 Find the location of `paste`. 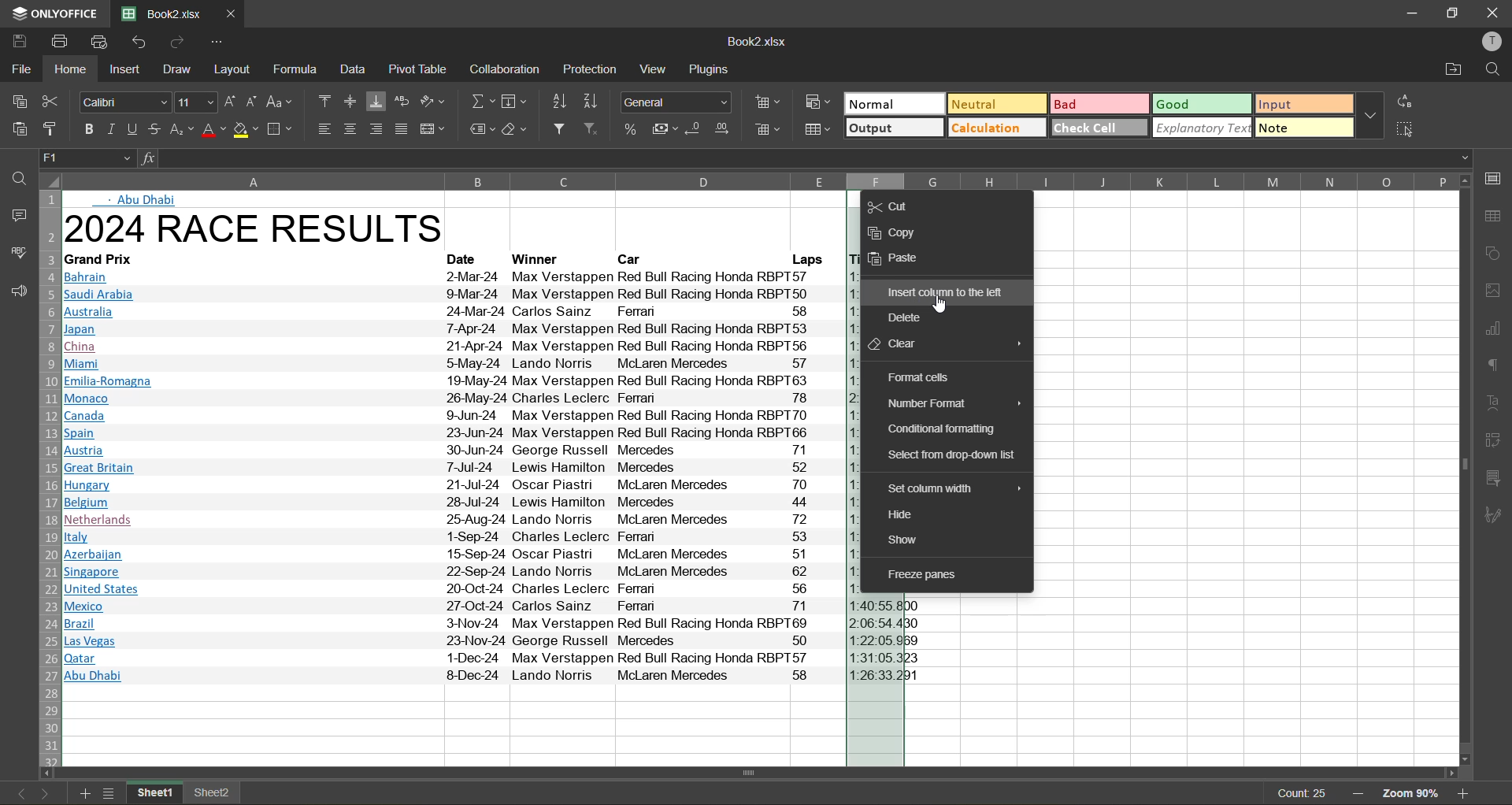

paste is located at coordinates (904, 260).